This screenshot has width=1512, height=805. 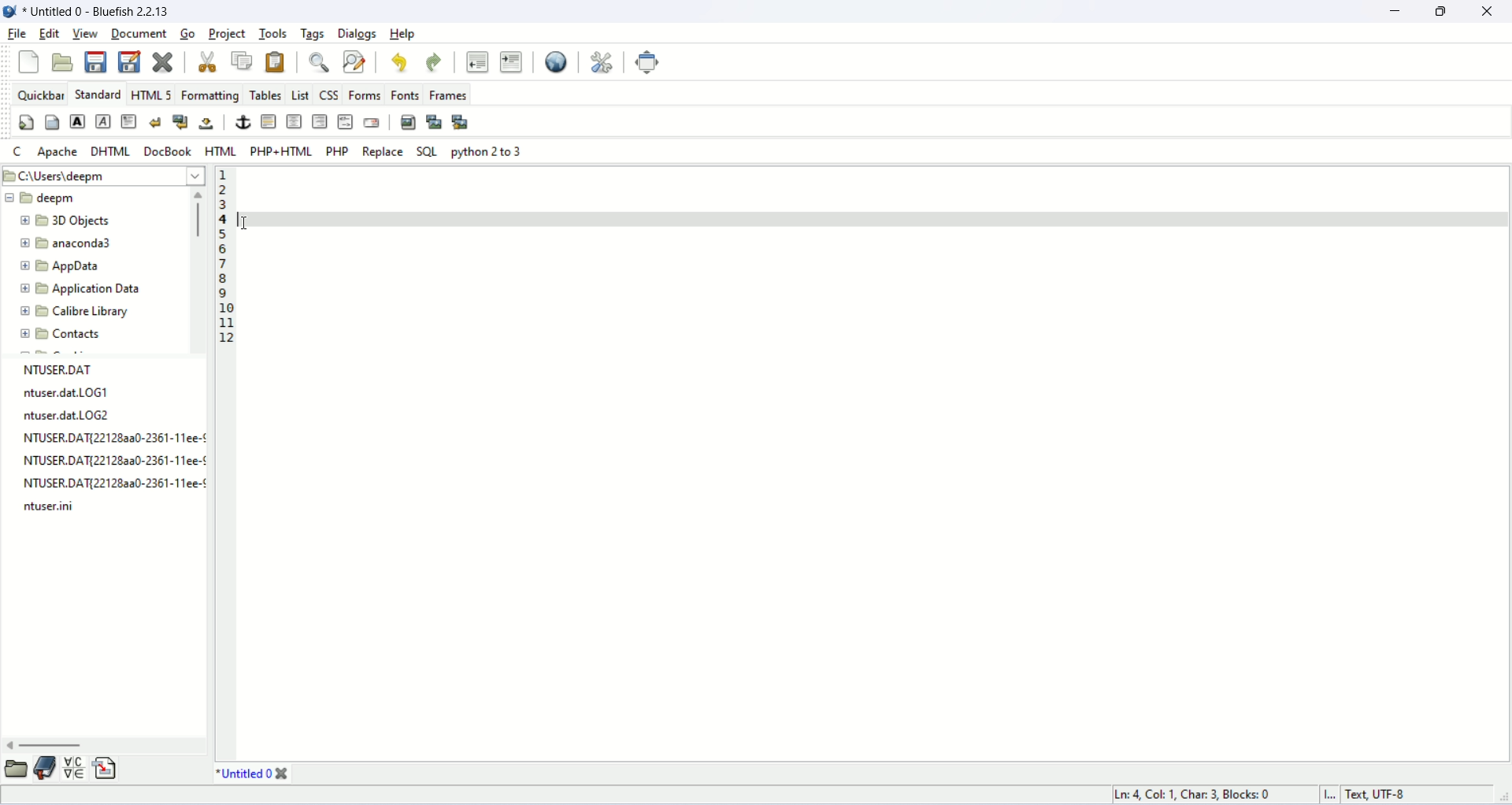 What do you see at coordinates (74, 242) in the screenshot?
I see `folder name` at bounding box center [74, 242].